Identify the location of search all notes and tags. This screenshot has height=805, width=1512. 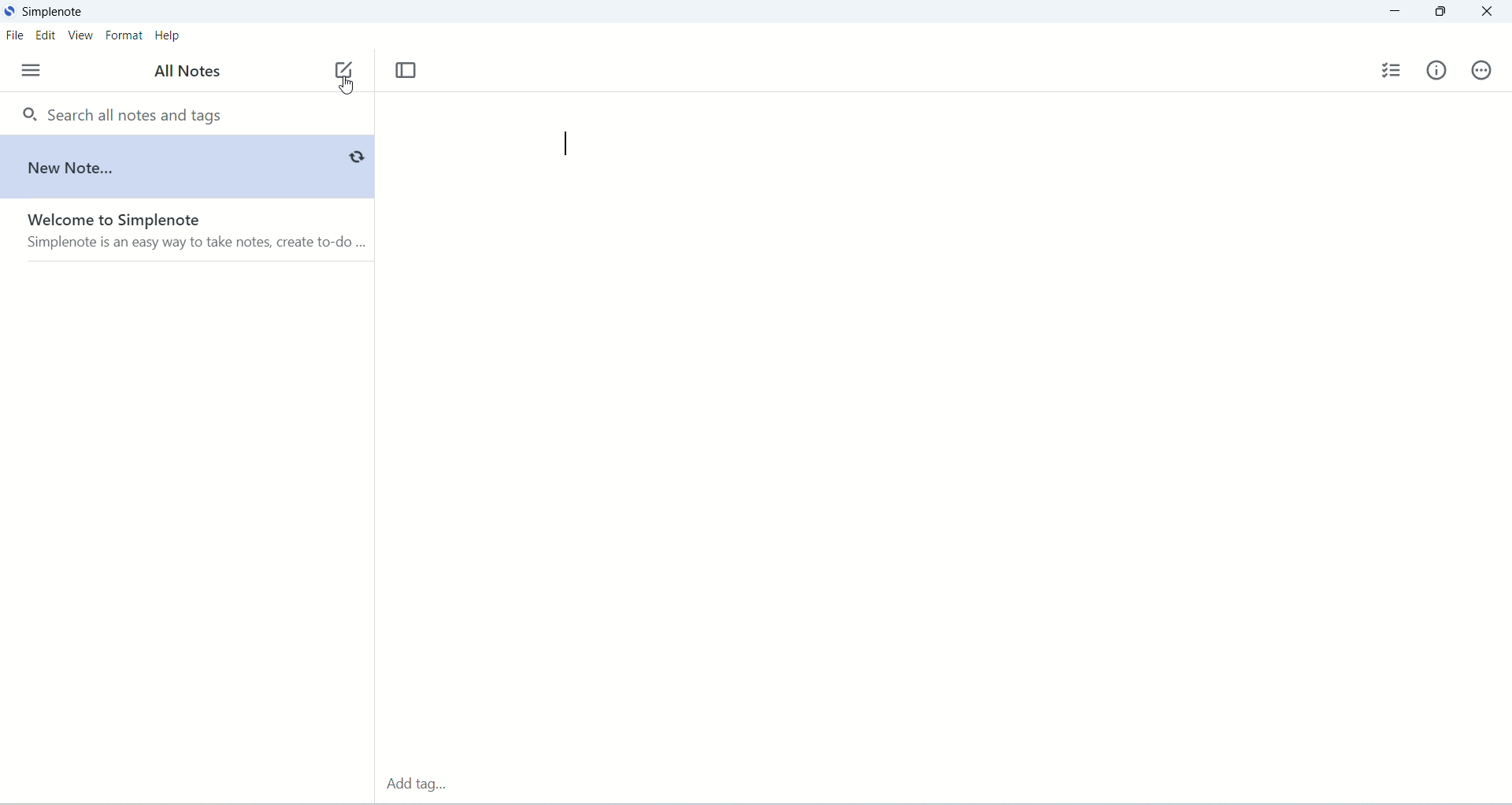
(127, 116).